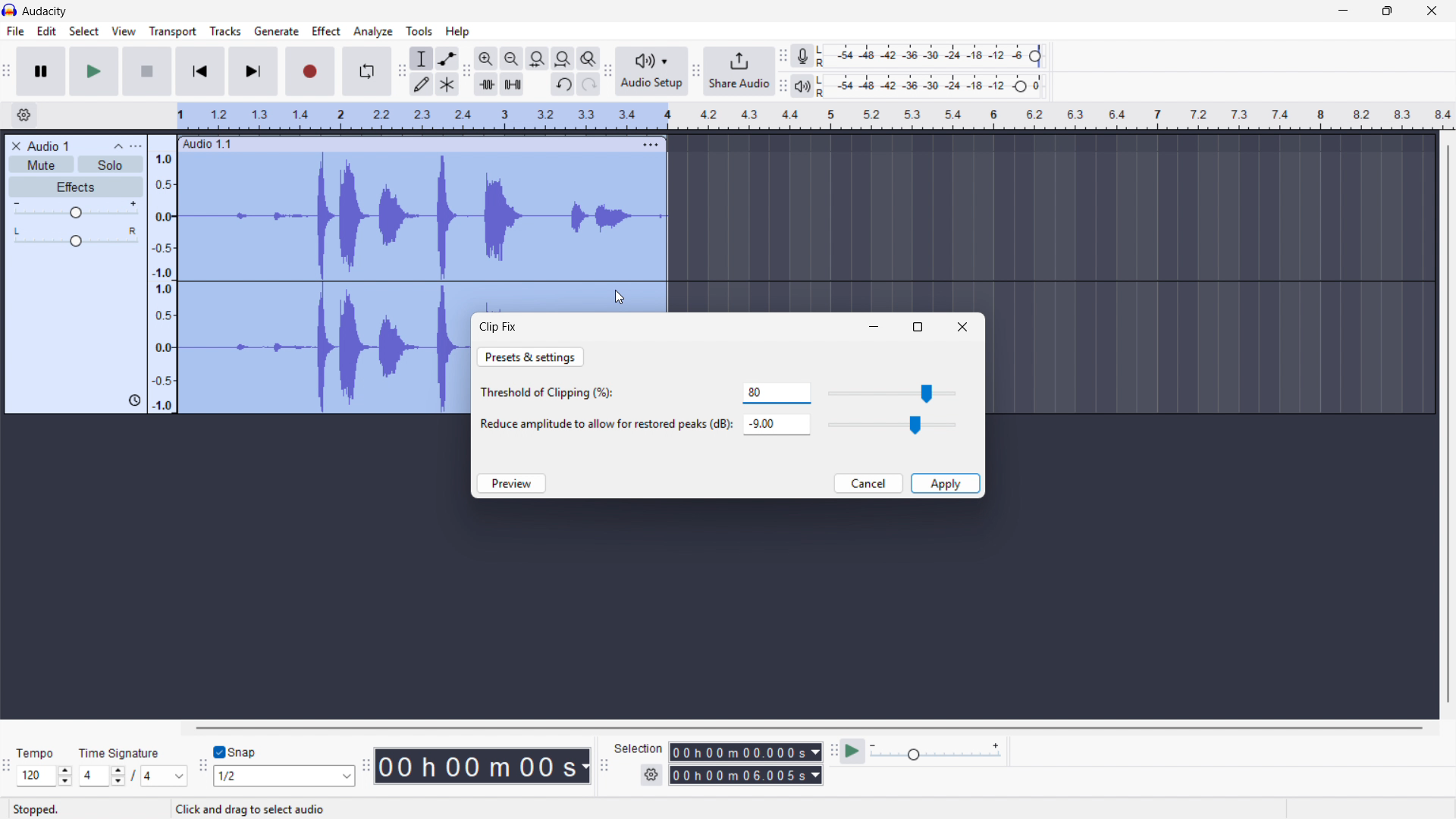 The height and width of the screenshot is (819, 1456). Describe the element at coordinates (276, 31) in the screenshot. I see `Generate` at that location.